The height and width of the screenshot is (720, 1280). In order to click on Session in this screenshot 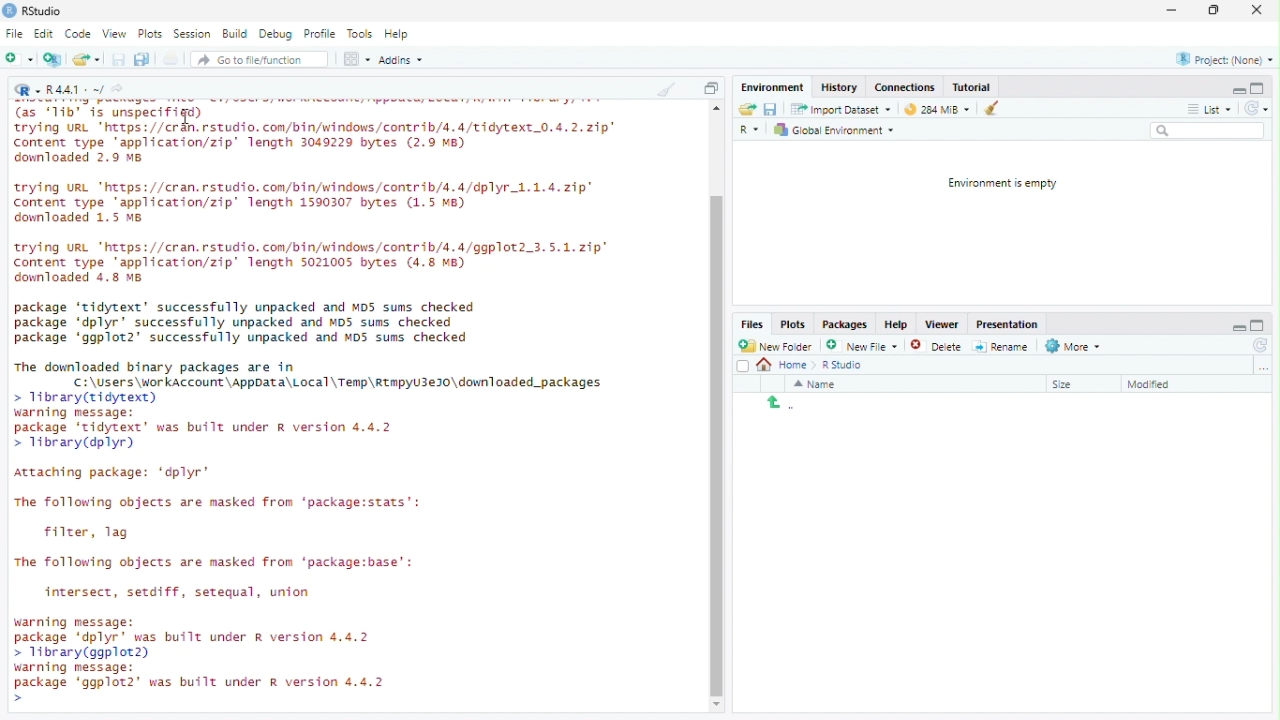, I will do `click(192, 33)`.